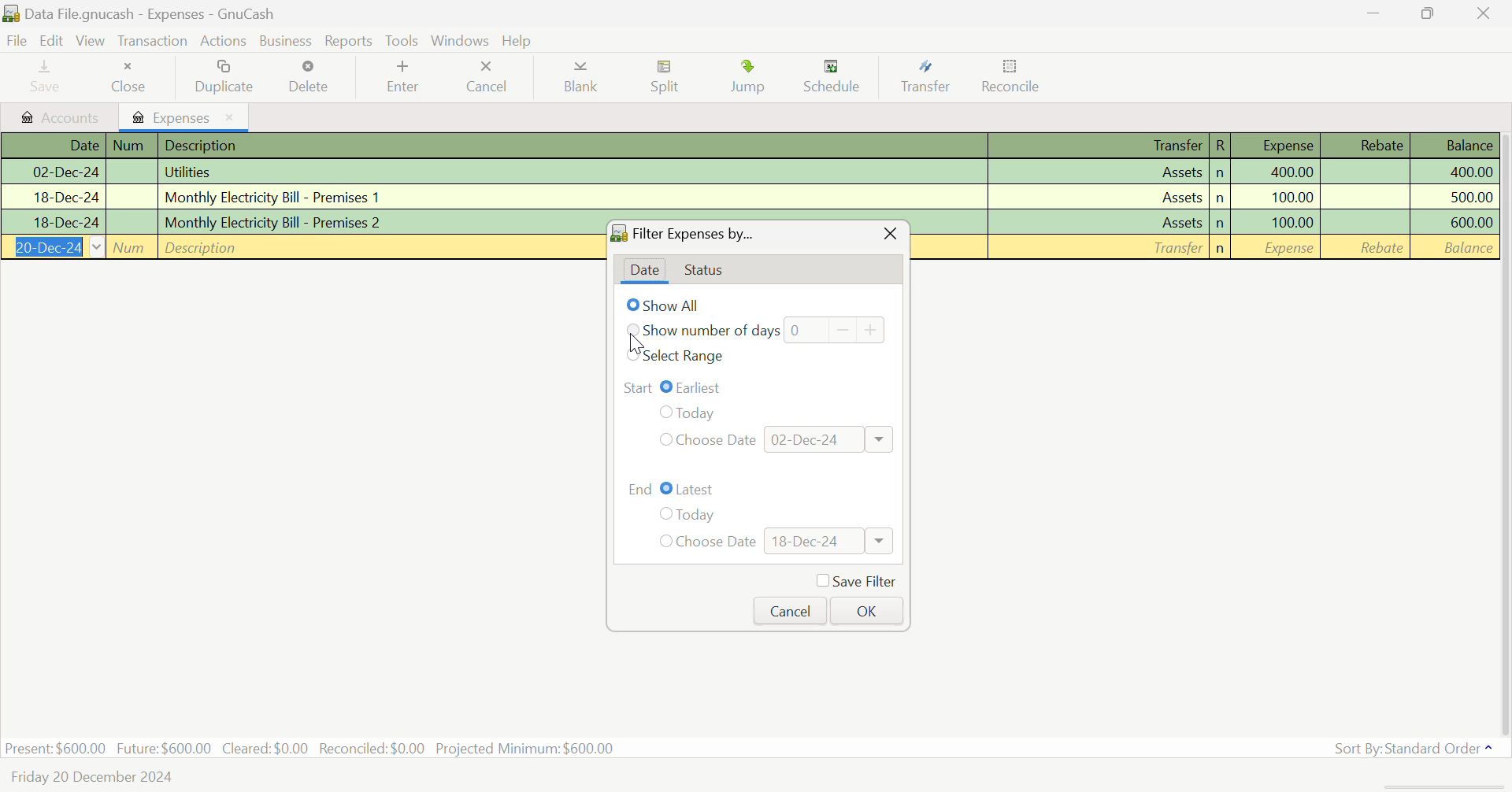 The image size is (1512, 792). I want to click on Reports, so click(348, 39).